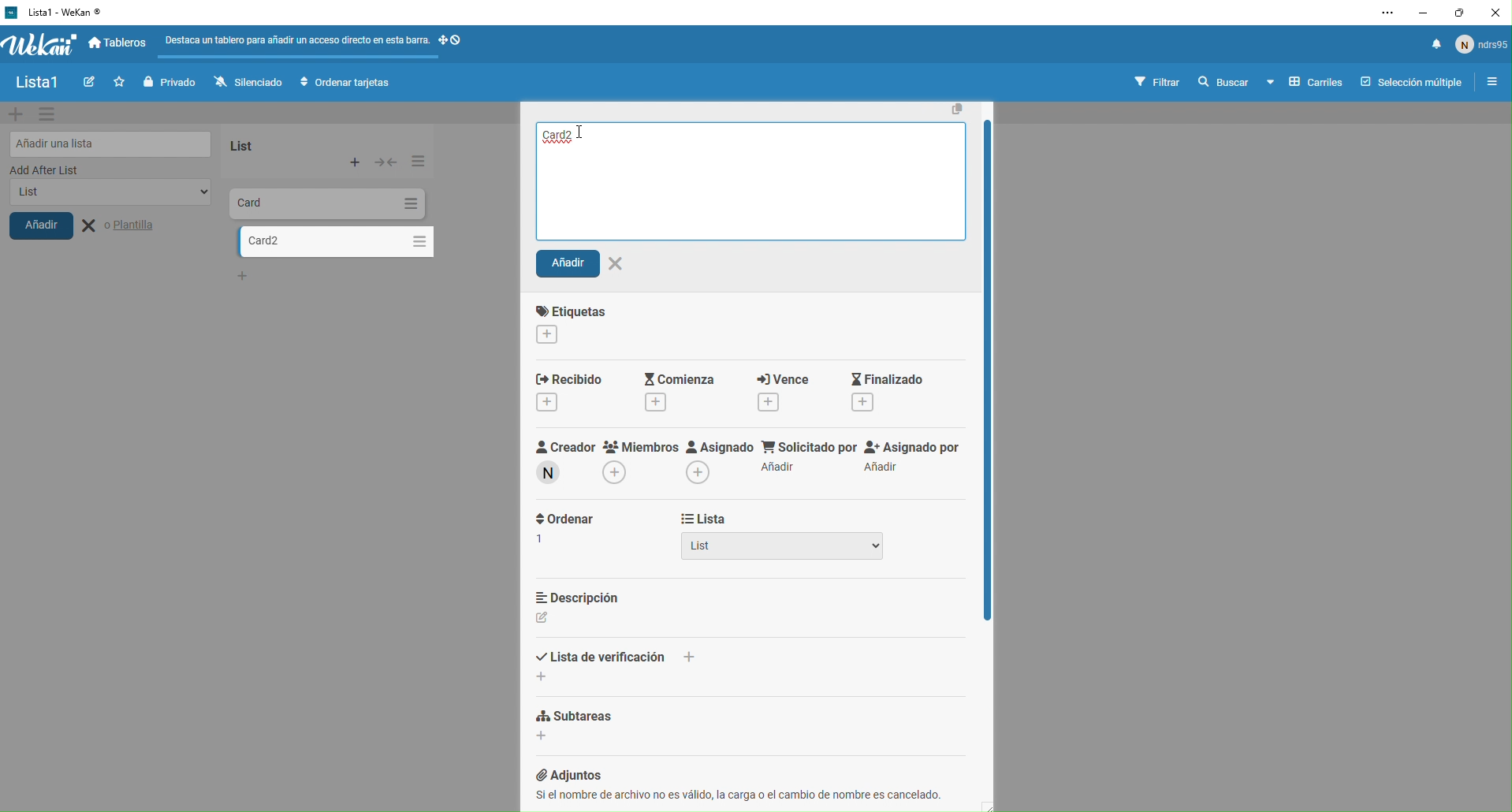  I want to click on write new, so click(87, 84).